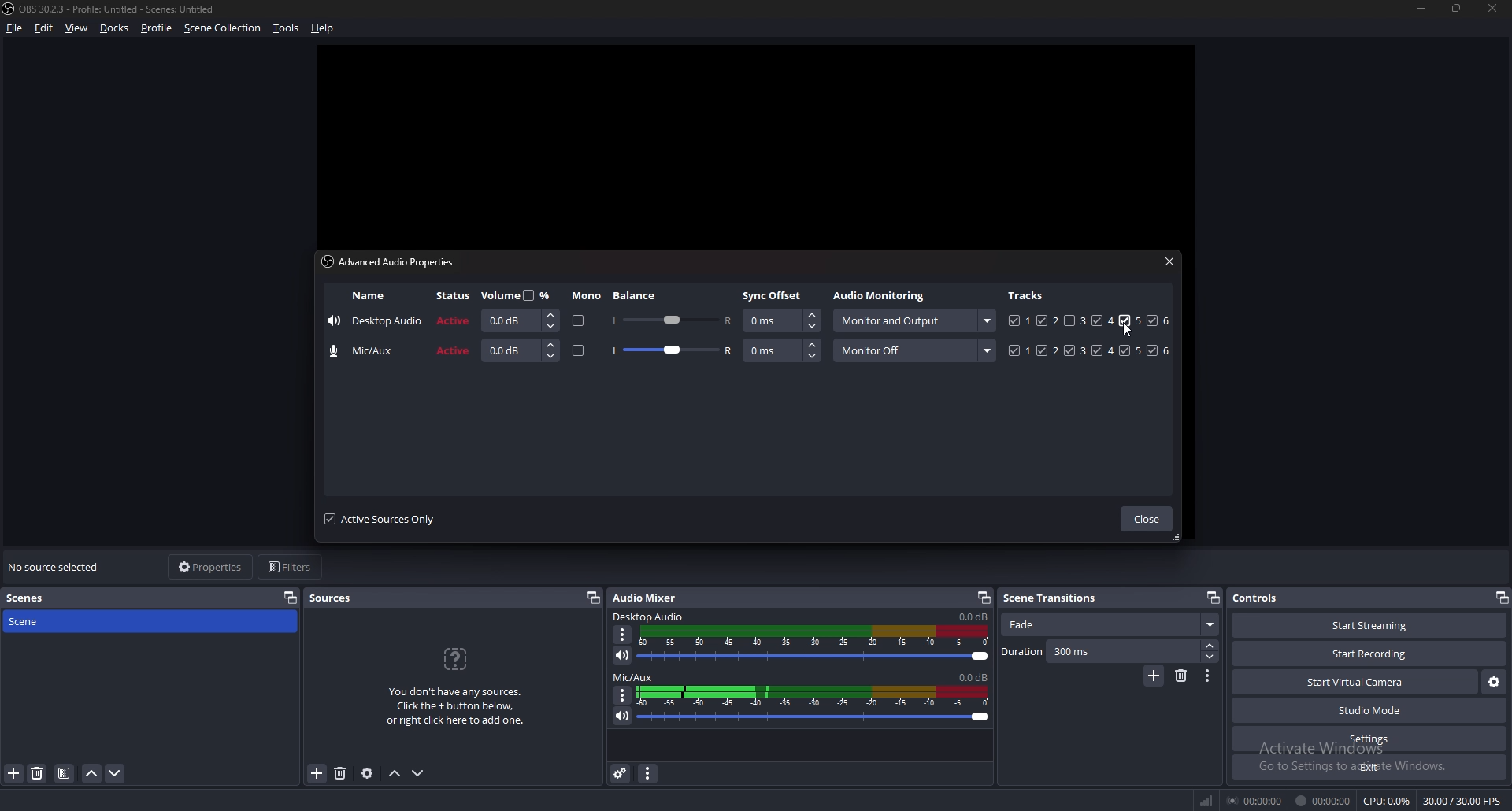 This screenshot has height=811, width=1512. What do you see at coordinates (77, 28) in the screenshot?
I see `view` at bounding box center [77, 28].